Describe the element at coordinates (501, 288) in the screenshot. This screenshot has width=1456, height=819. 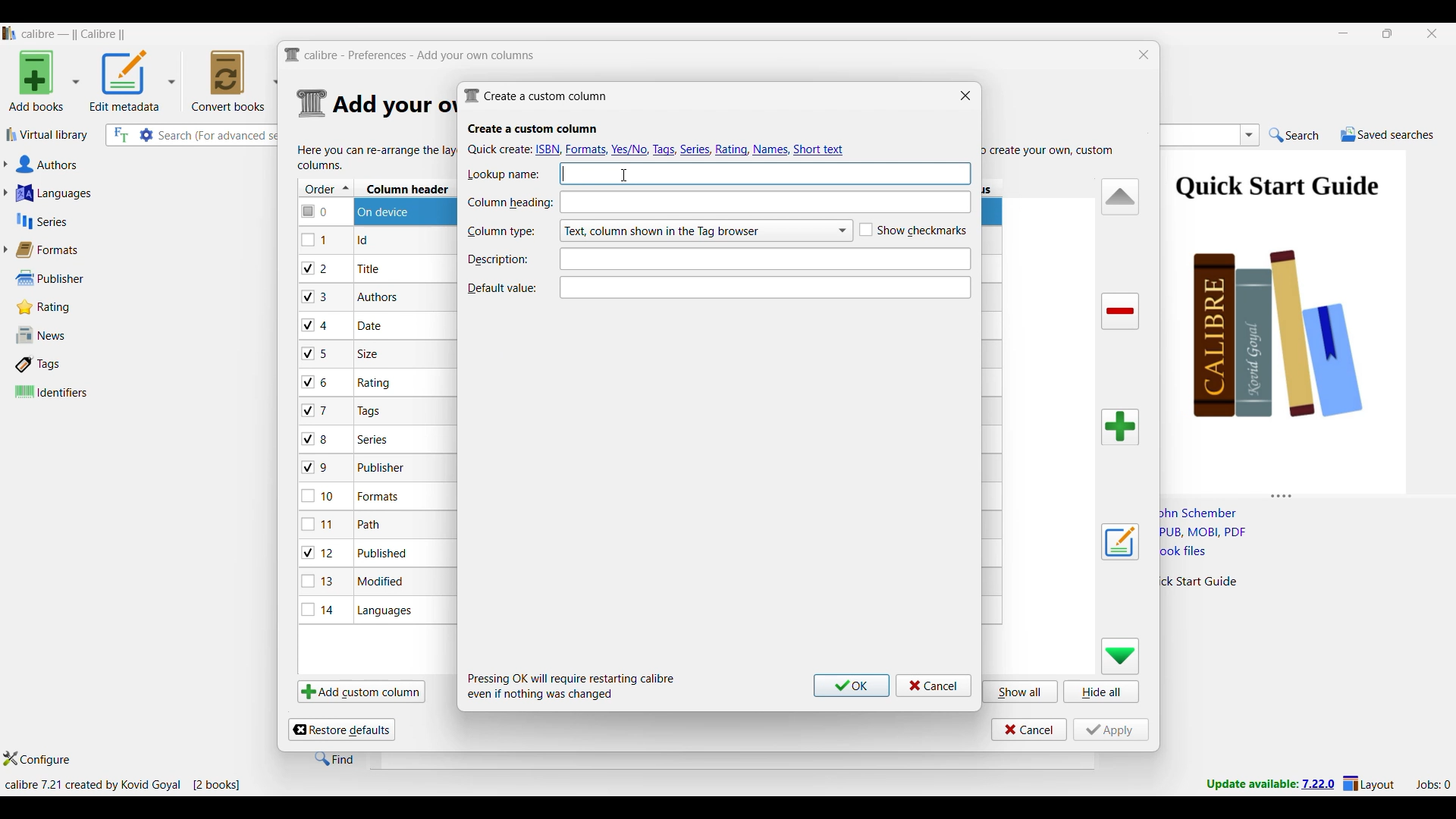
I see `Indicates Default value text box` at that location.